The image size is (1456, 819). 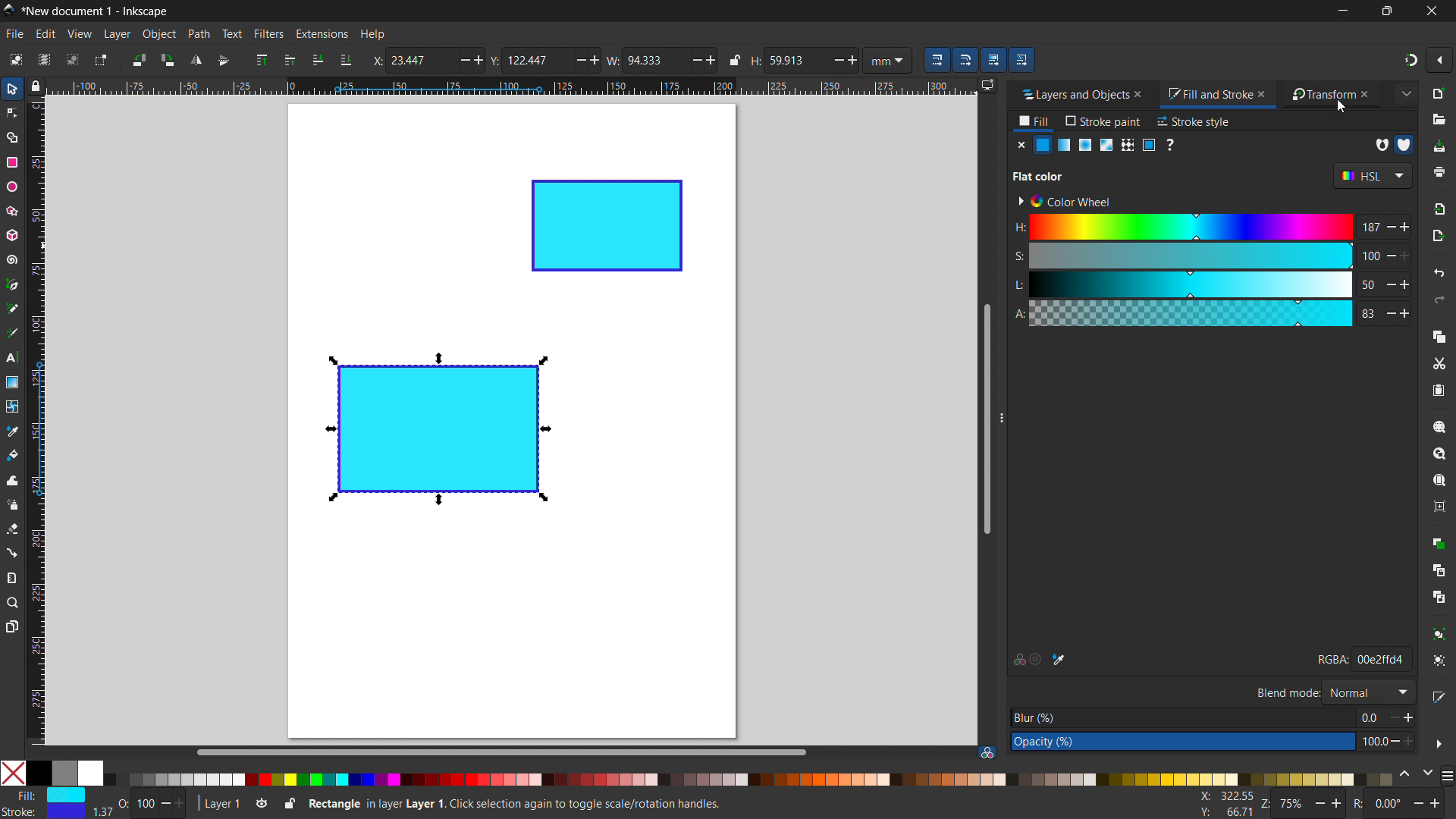 I want to click on maximize, so click(x=1384, y=11).